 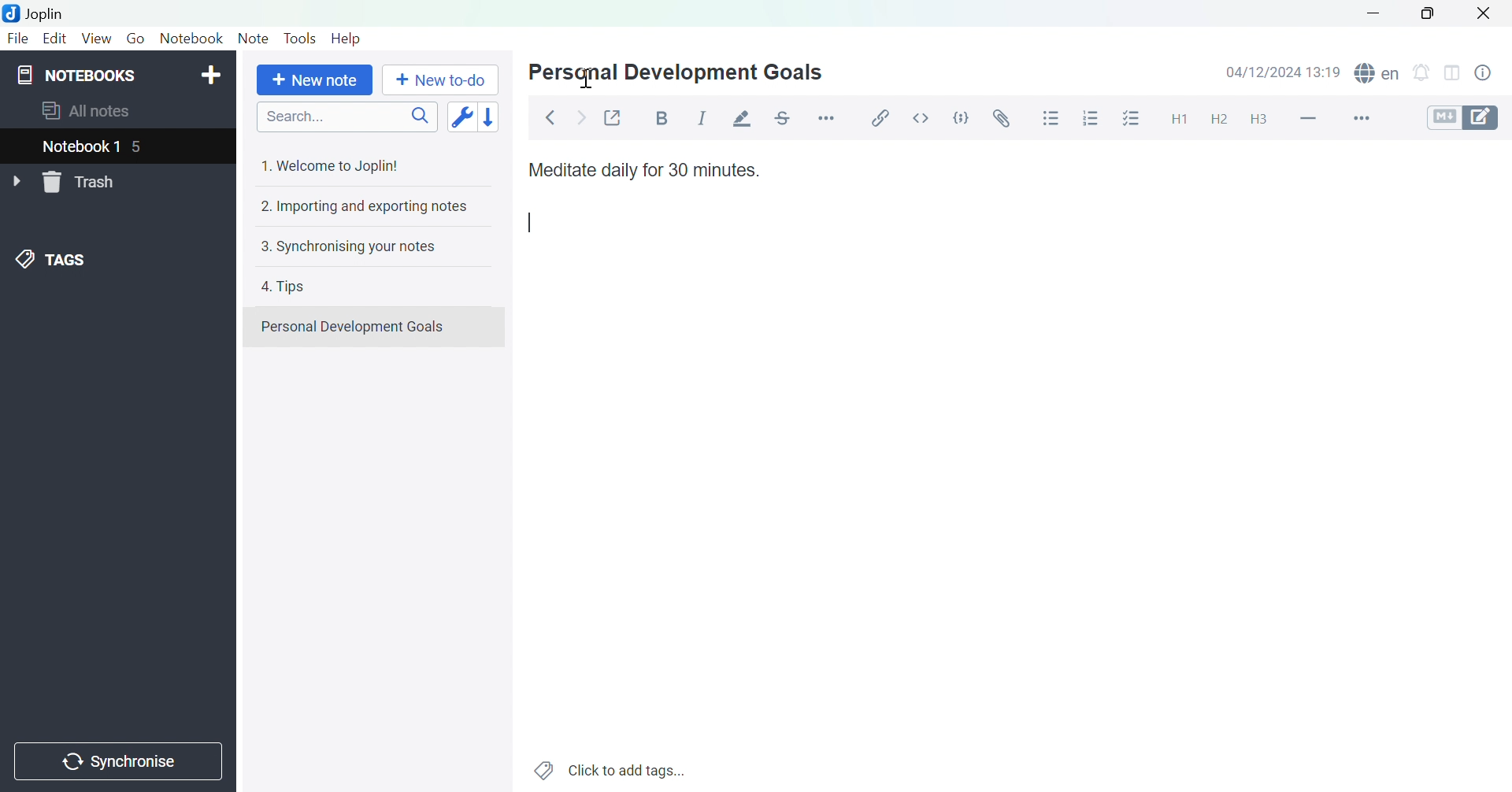 What do you see at coordinates (884, 119) in the screenshot?
I see `Insert / edit link` at bounding box center [884, 119].